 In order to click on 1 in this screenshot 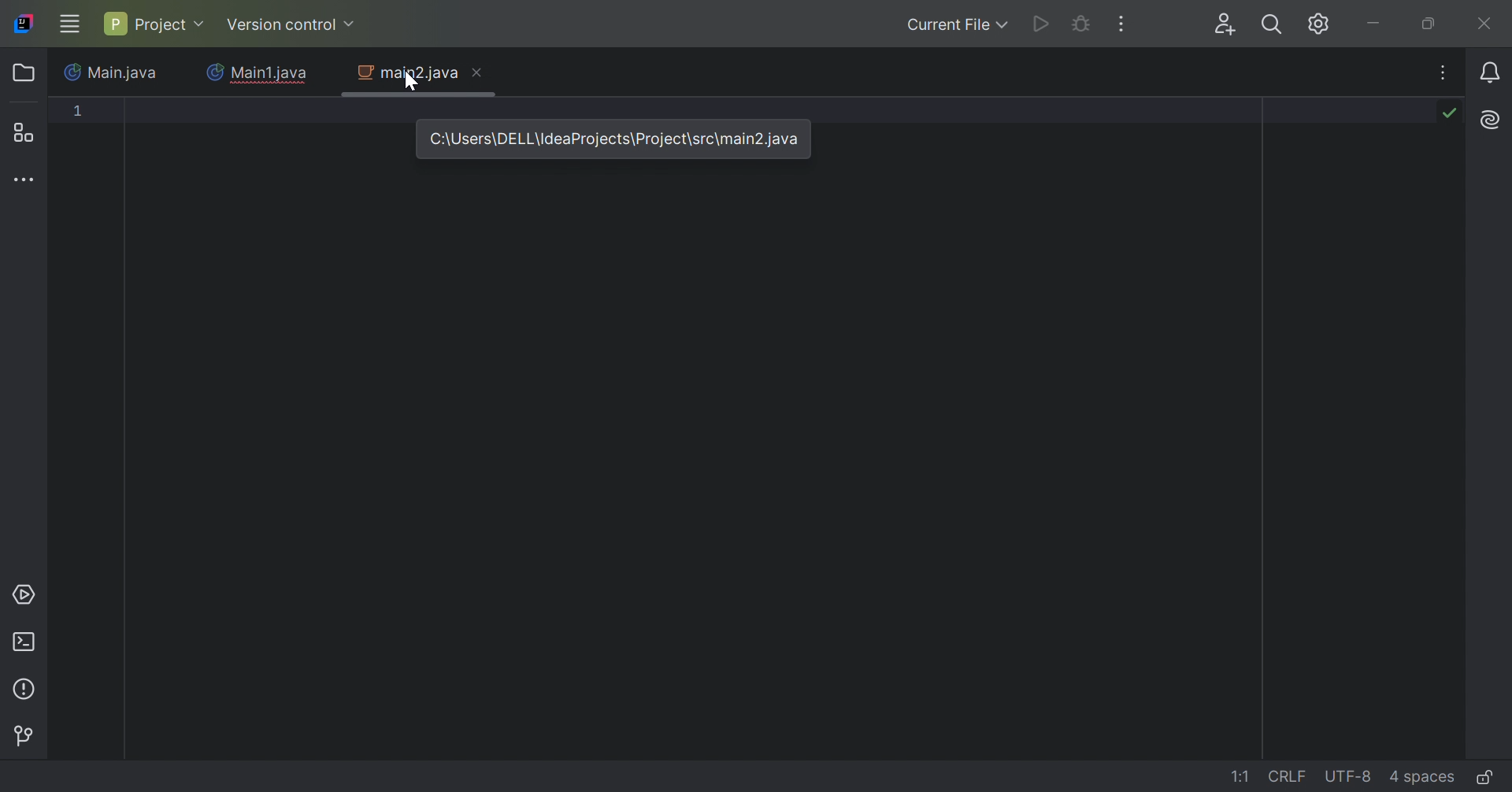, I will do `click(80, 110)`.